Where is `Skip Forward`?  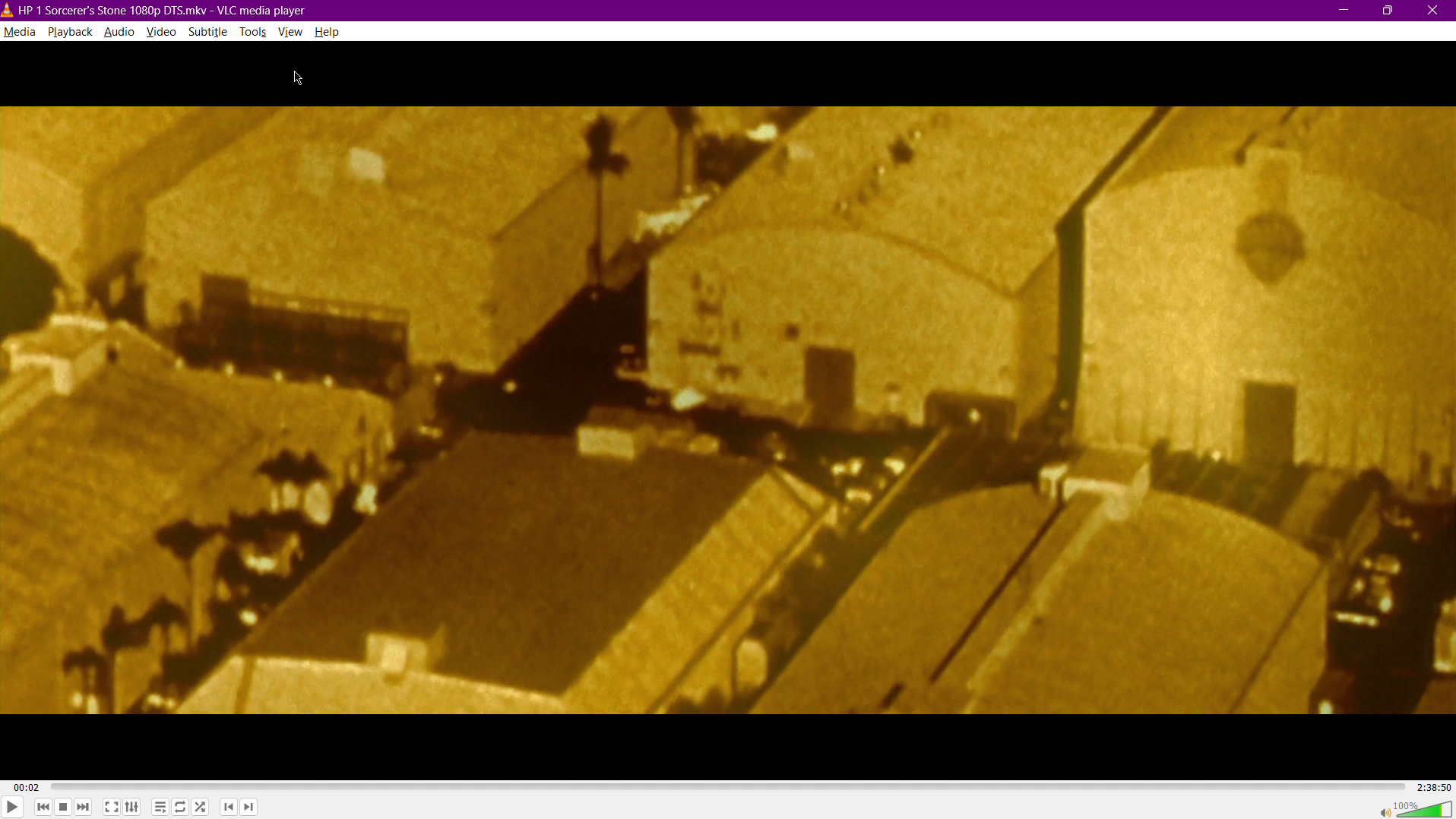 Skip Forward is located at coordinates (84, 808).